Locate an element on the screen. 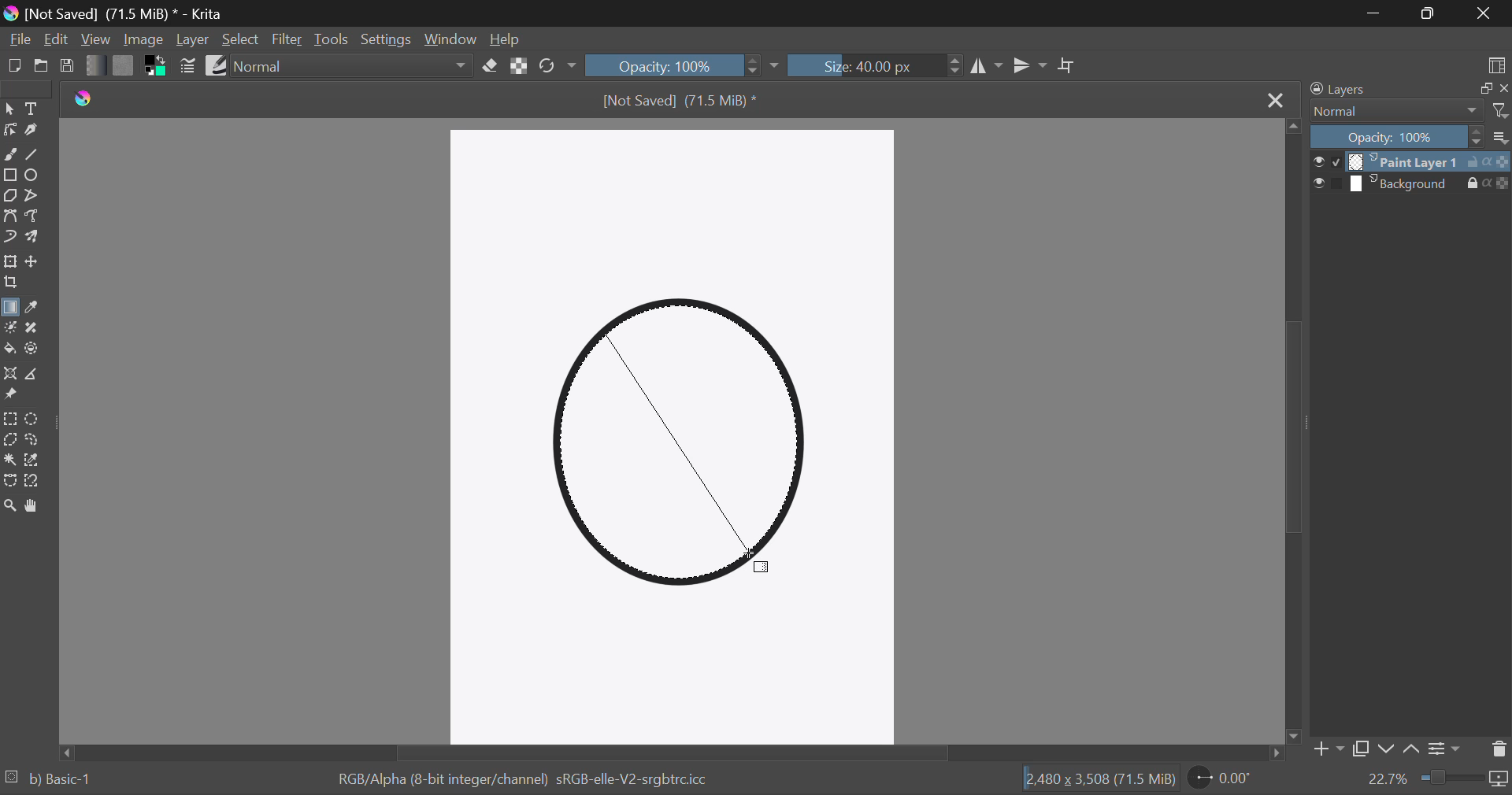 The image size is (1512, 795). Opacity is located at coordinates (674, 65).